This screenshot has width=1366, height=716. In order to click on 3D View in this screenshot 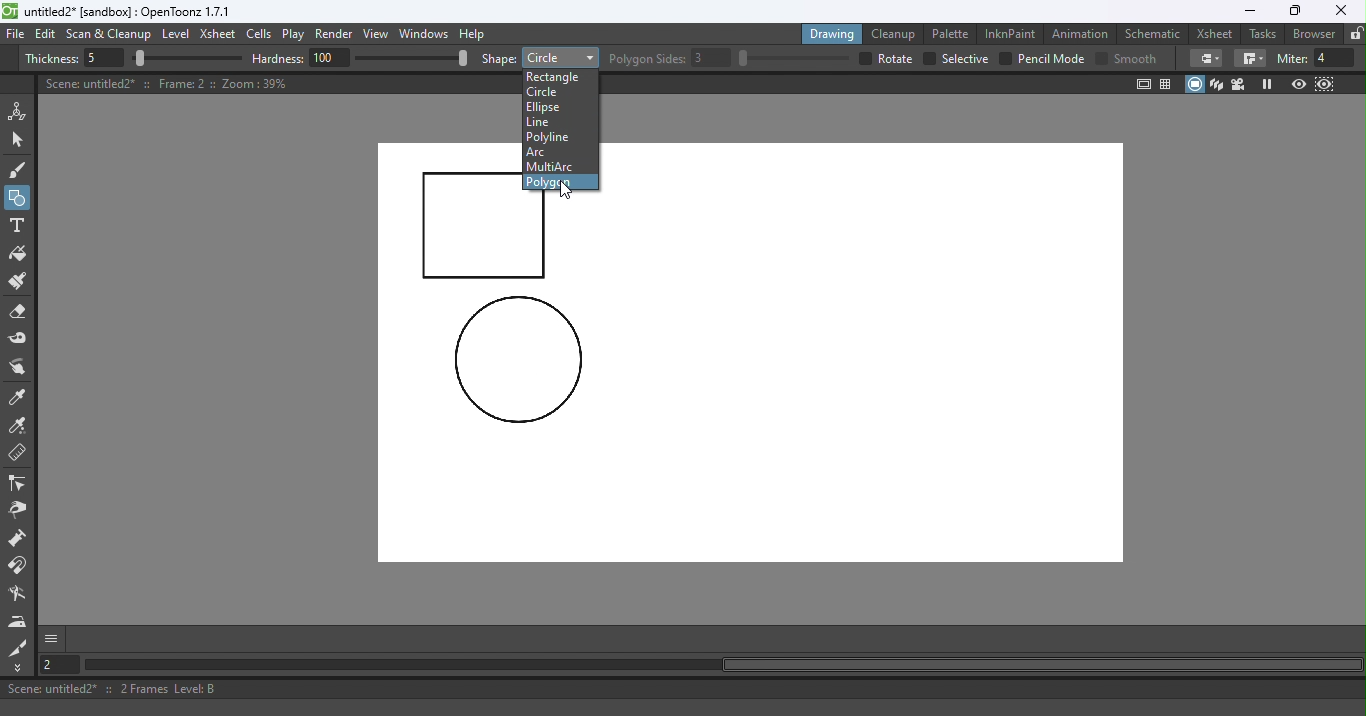, I will do `click(1218, 84)`.